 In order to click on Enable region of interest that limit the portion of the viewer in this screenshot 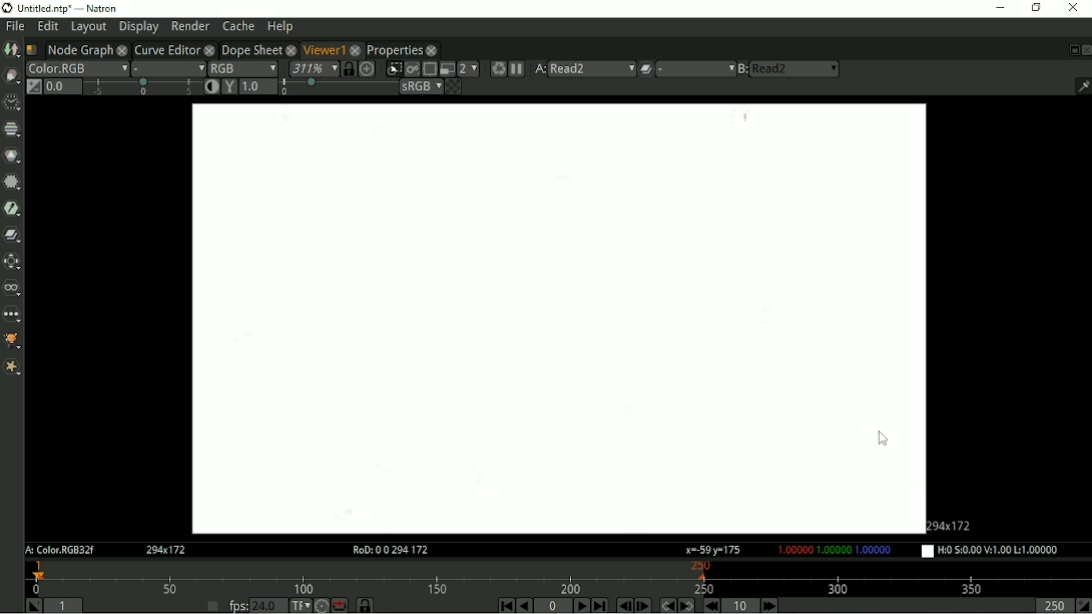, I will do `click(429, 69)`.